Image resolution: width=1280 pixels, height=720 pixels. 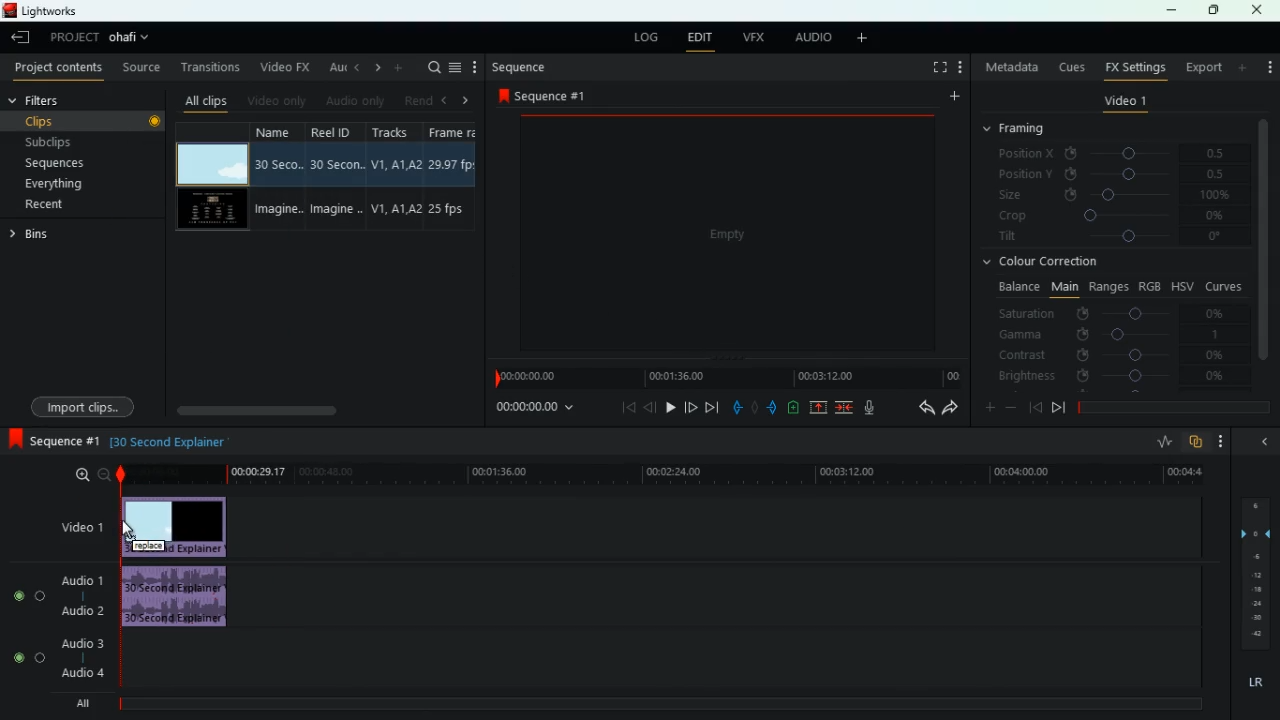 What do you see at coordinates (940, 69) in the screenshot?
I see `full screen` at bounding box center [940, 69].